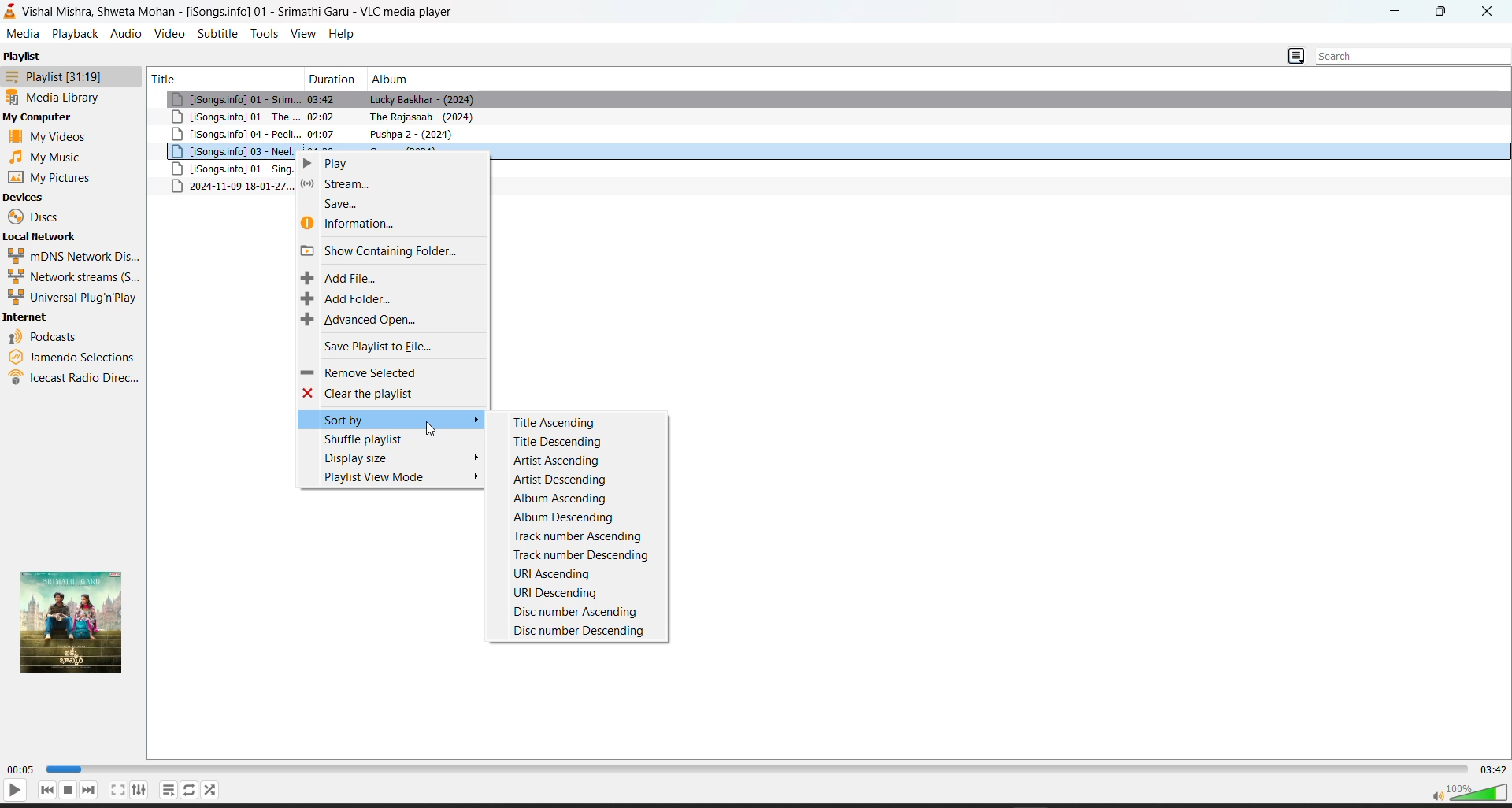 The image size is (1512, 808). What do you see at coordinates (390, 458) in the screenshot?
I see `display size` at bounding box center [390, 458].